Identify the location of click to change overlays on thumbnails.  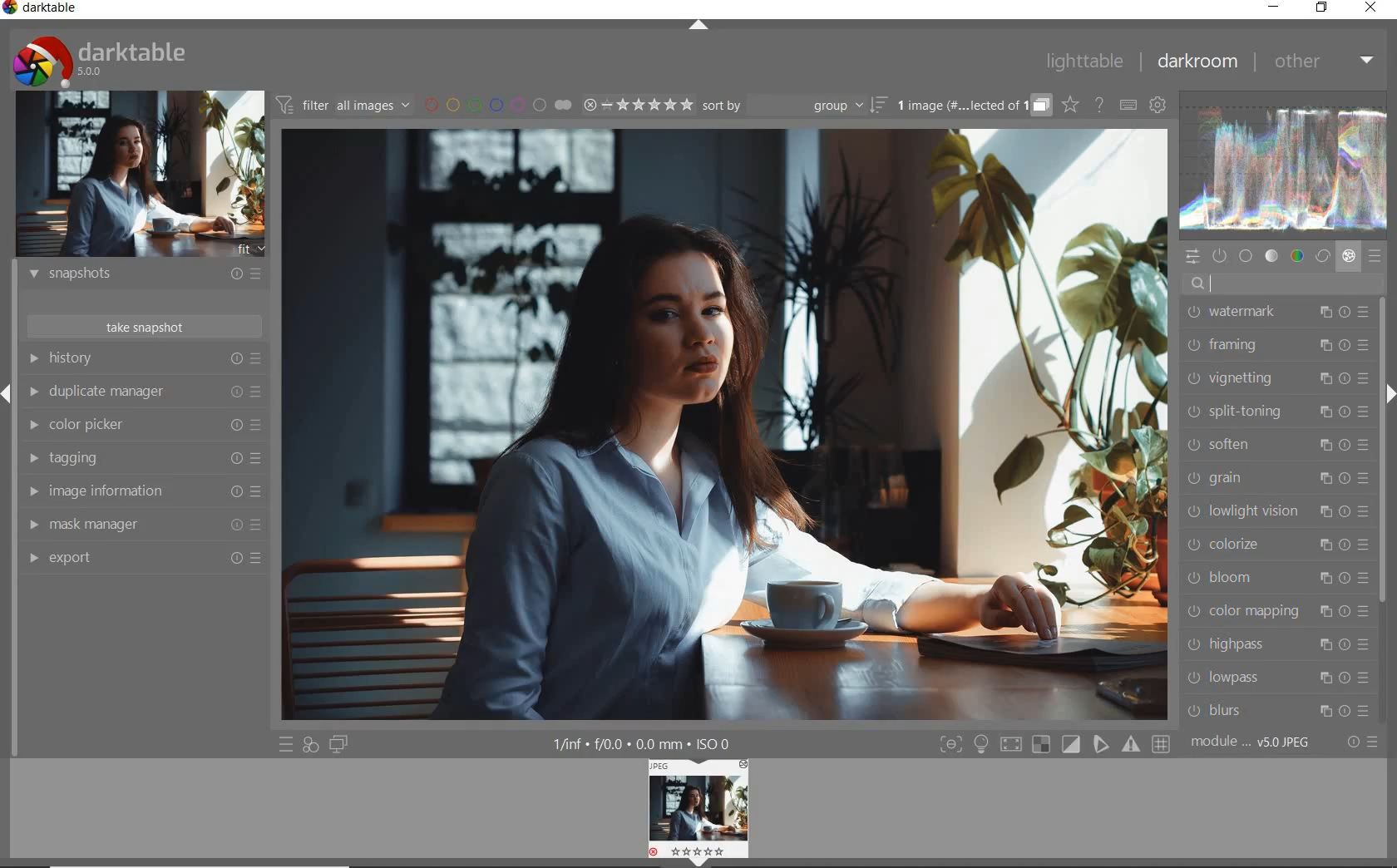
(1071, 106).